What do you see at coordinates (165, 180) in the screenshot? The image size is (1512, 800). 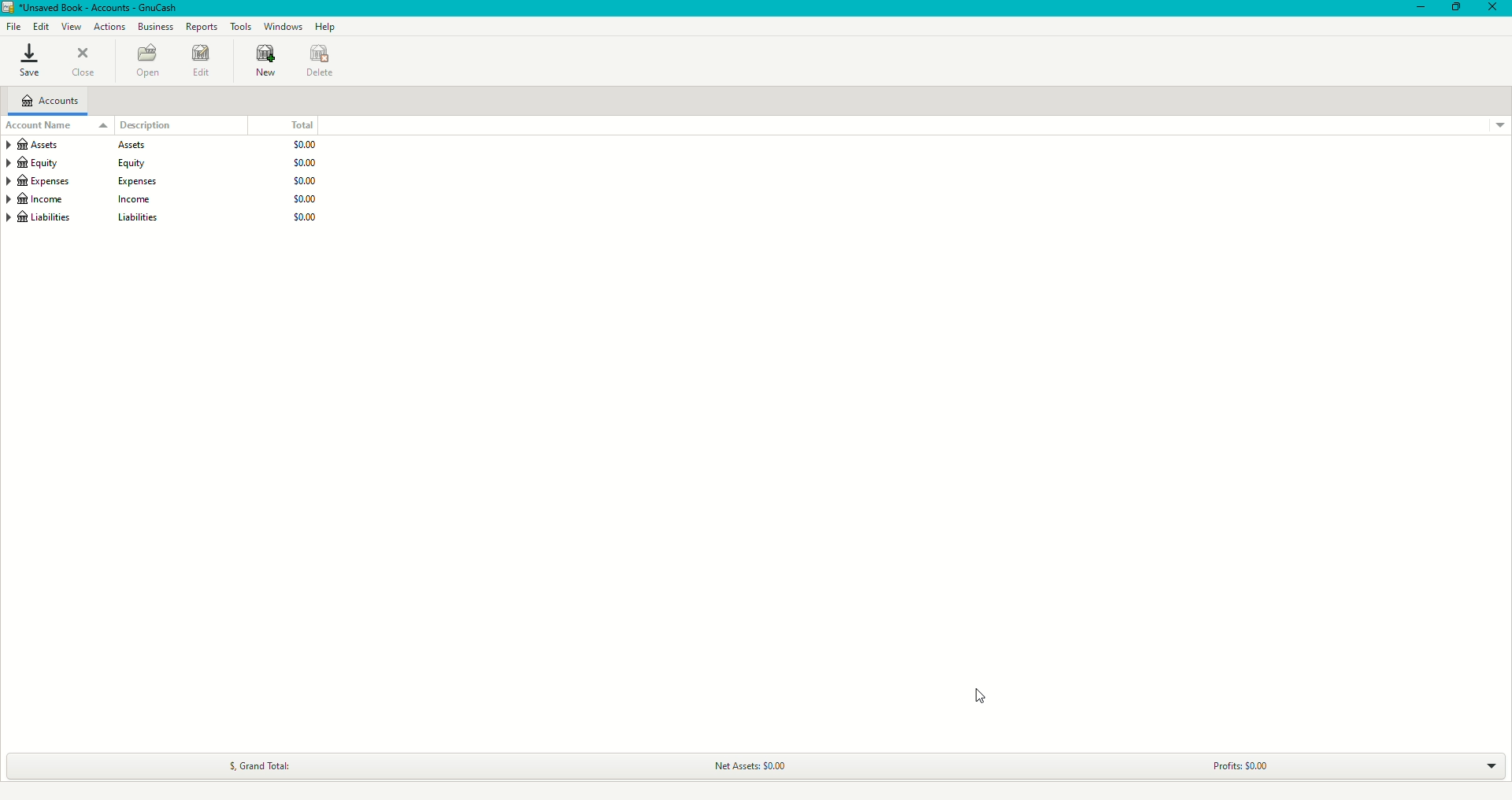 I see `Expenses` at bounding box center [165, 180].